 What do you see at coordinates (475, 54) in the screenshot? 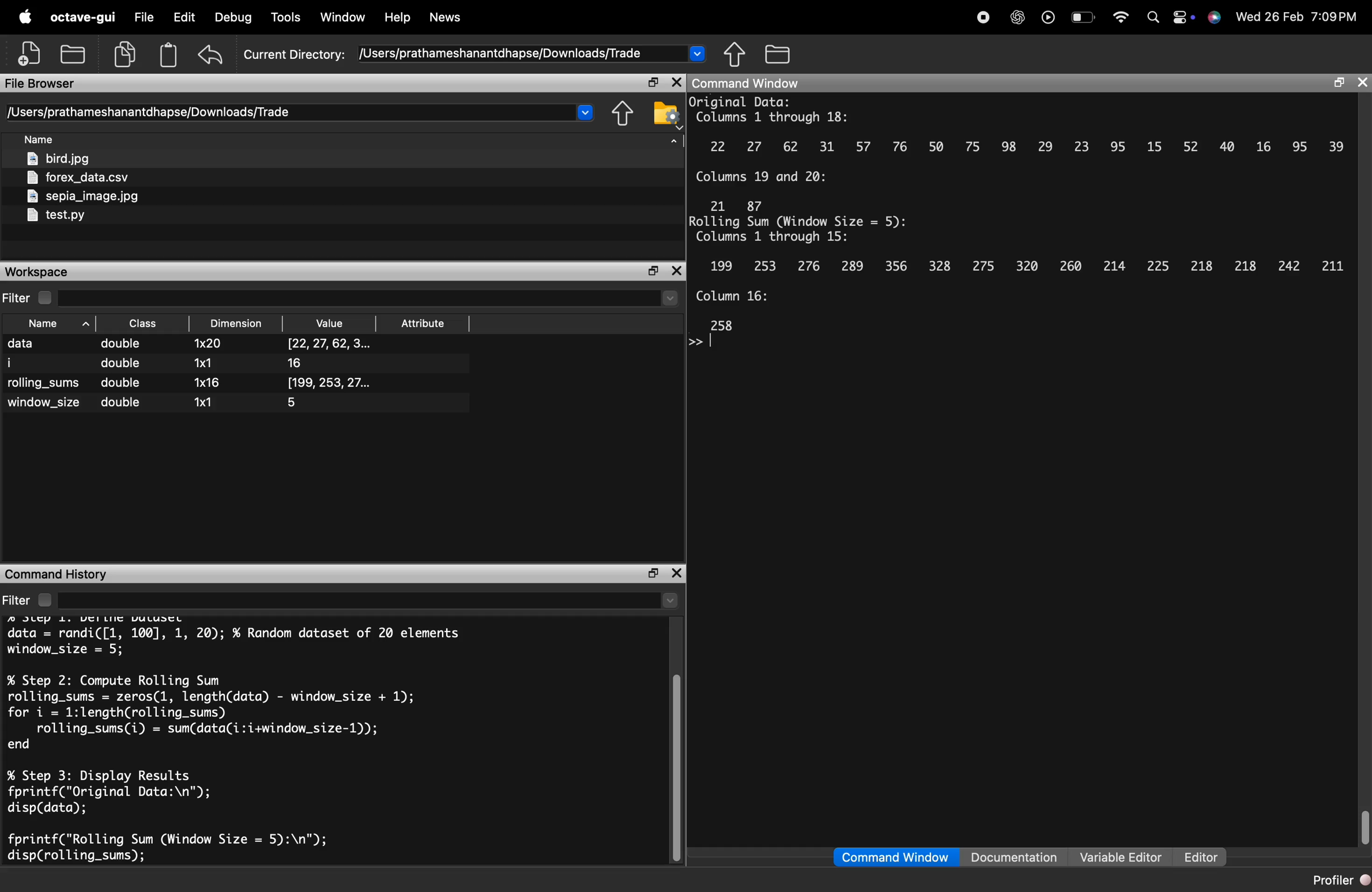
I see `current directory` at bounding box center [475, 54].